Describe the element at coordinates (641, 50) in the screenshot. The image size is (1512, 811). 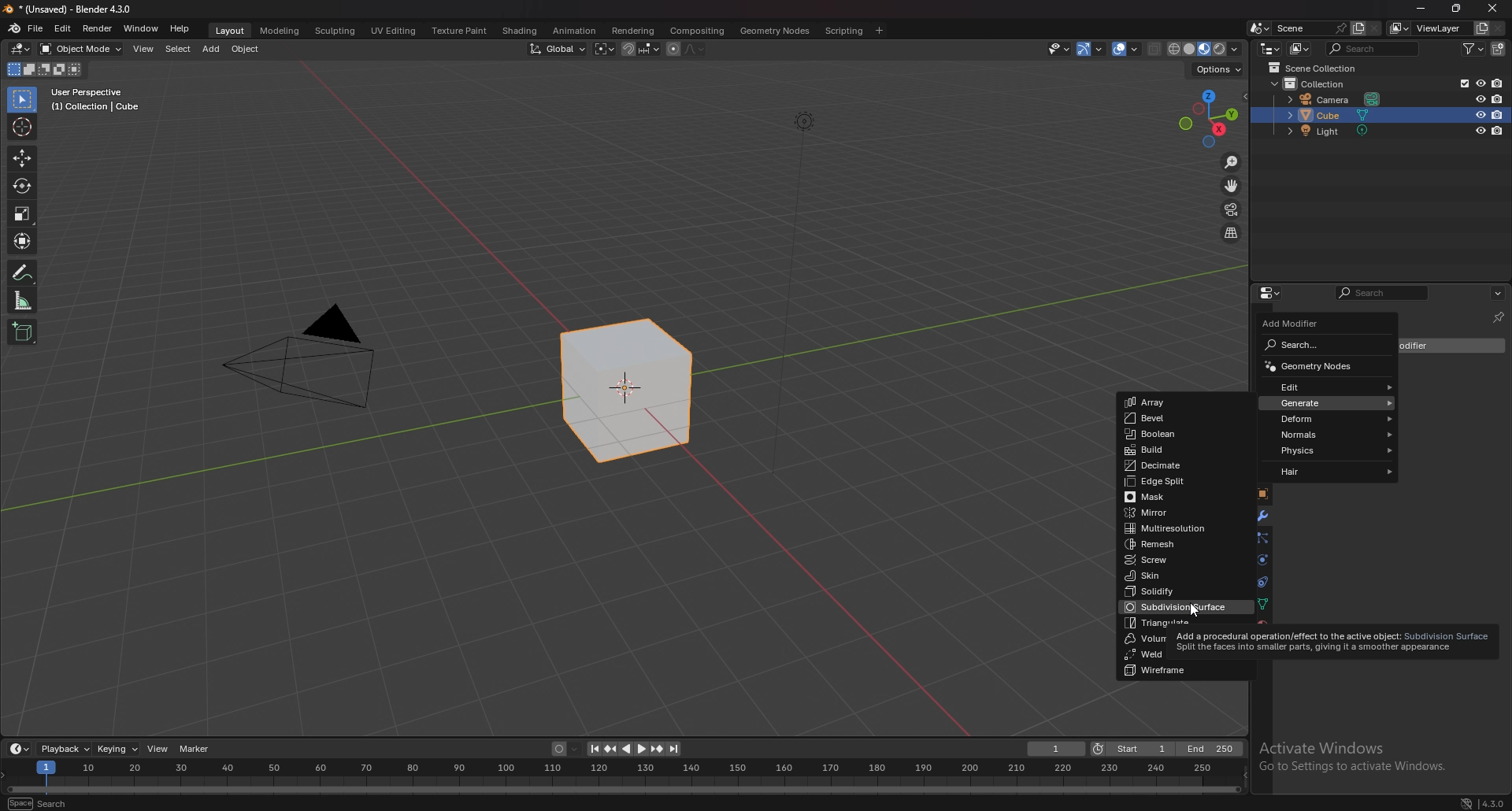
I see `snapping` at that location.